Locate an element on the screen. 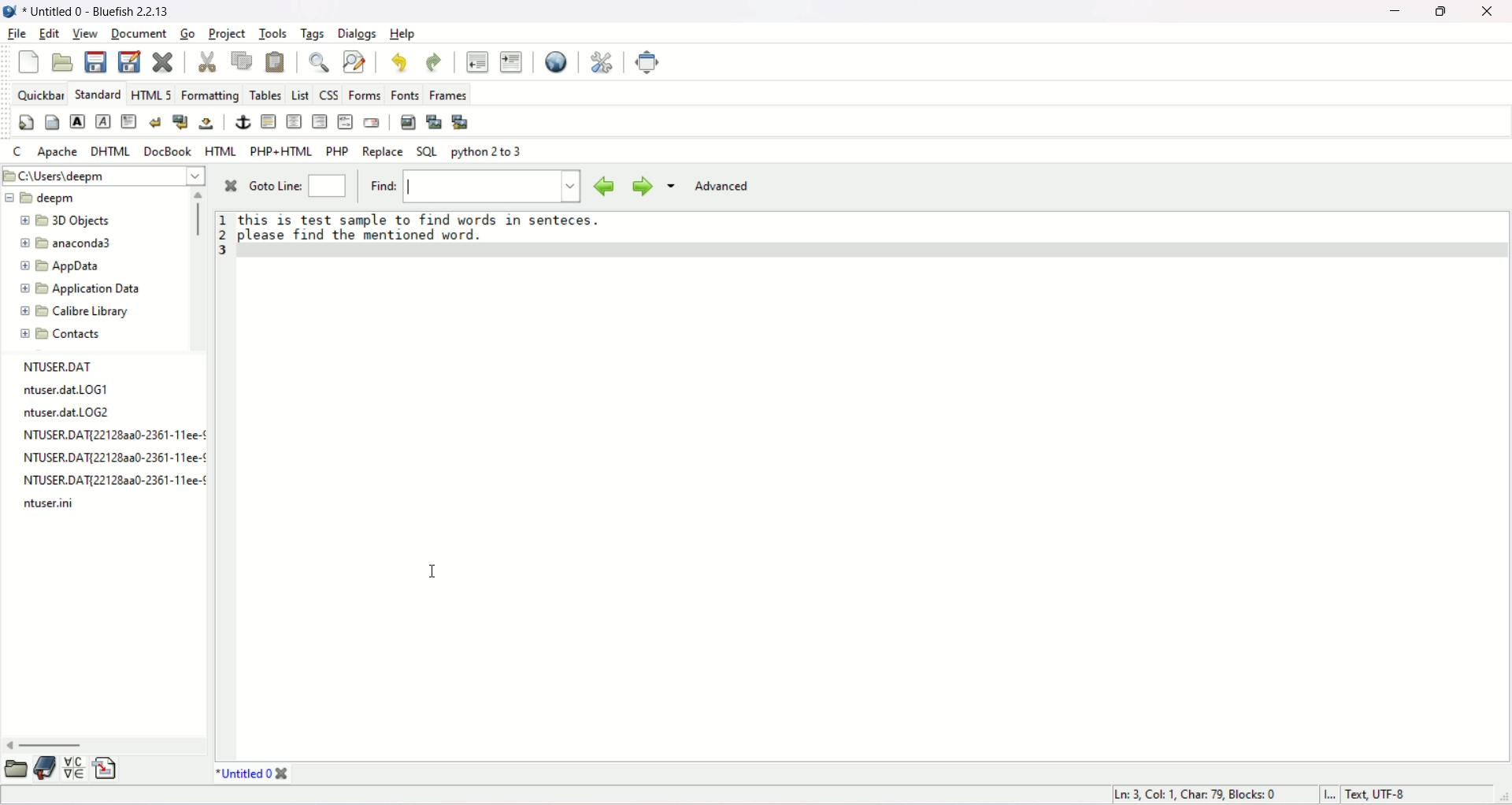 The height and width of the screenshot is (805, 1512). logo is located at coordinates (9, 12).